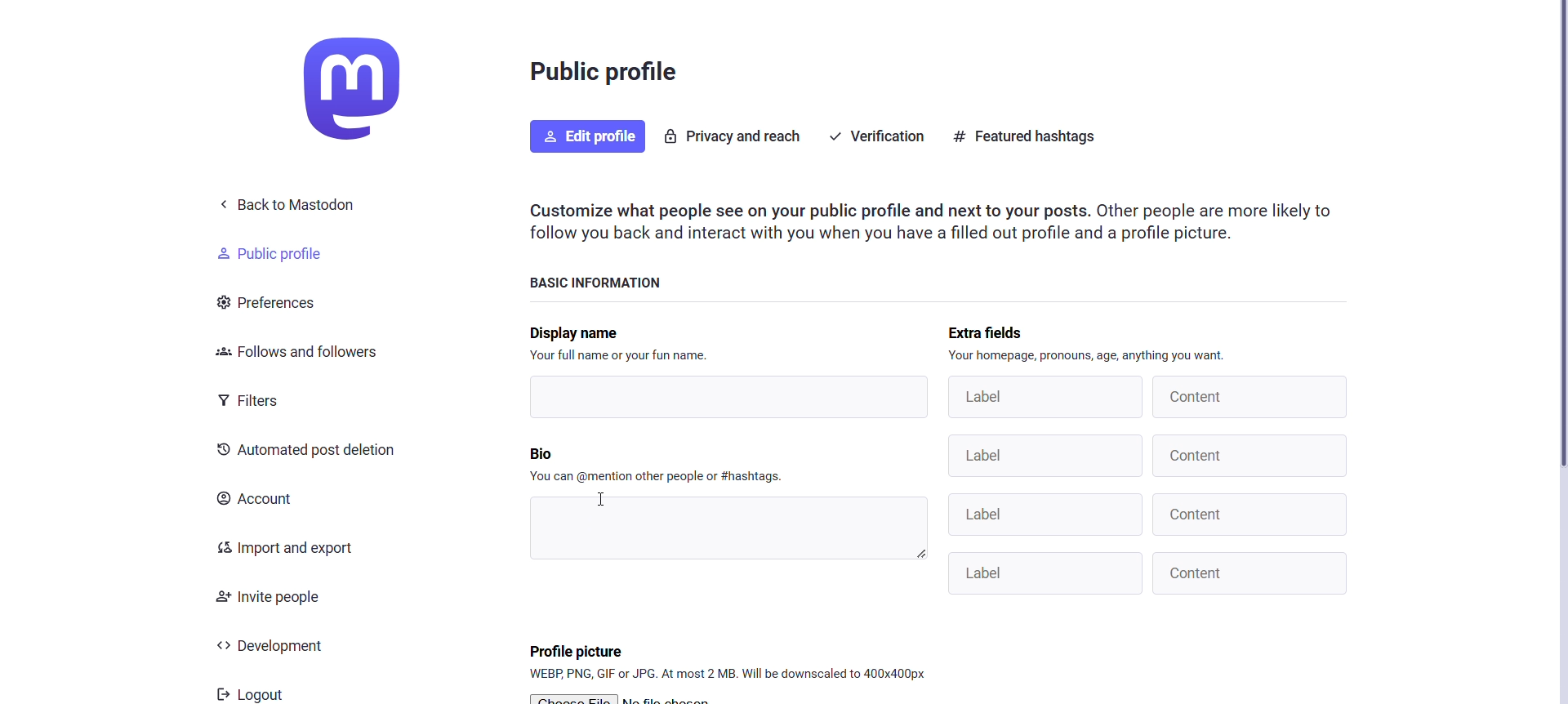 This screenshot has height=704, width=1568. Describe the element at coordinates (282, 252) in the screenshot. I see `Public Profile` at that location.